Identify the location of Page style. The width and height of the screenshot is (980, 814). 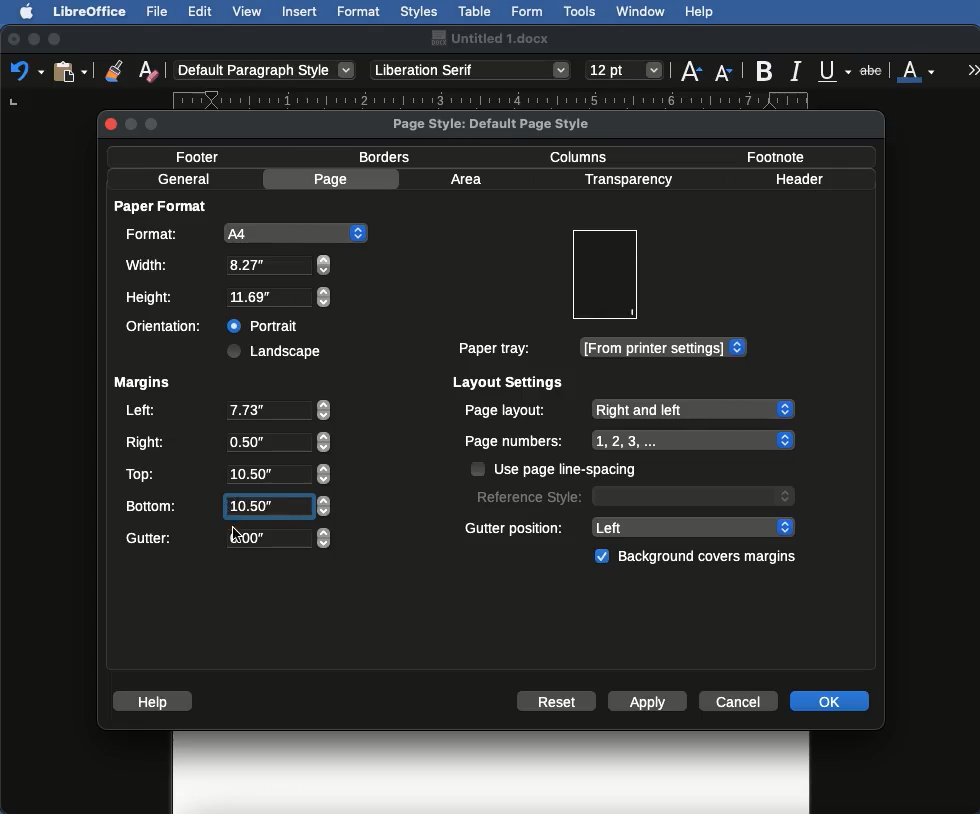
(508, 123).